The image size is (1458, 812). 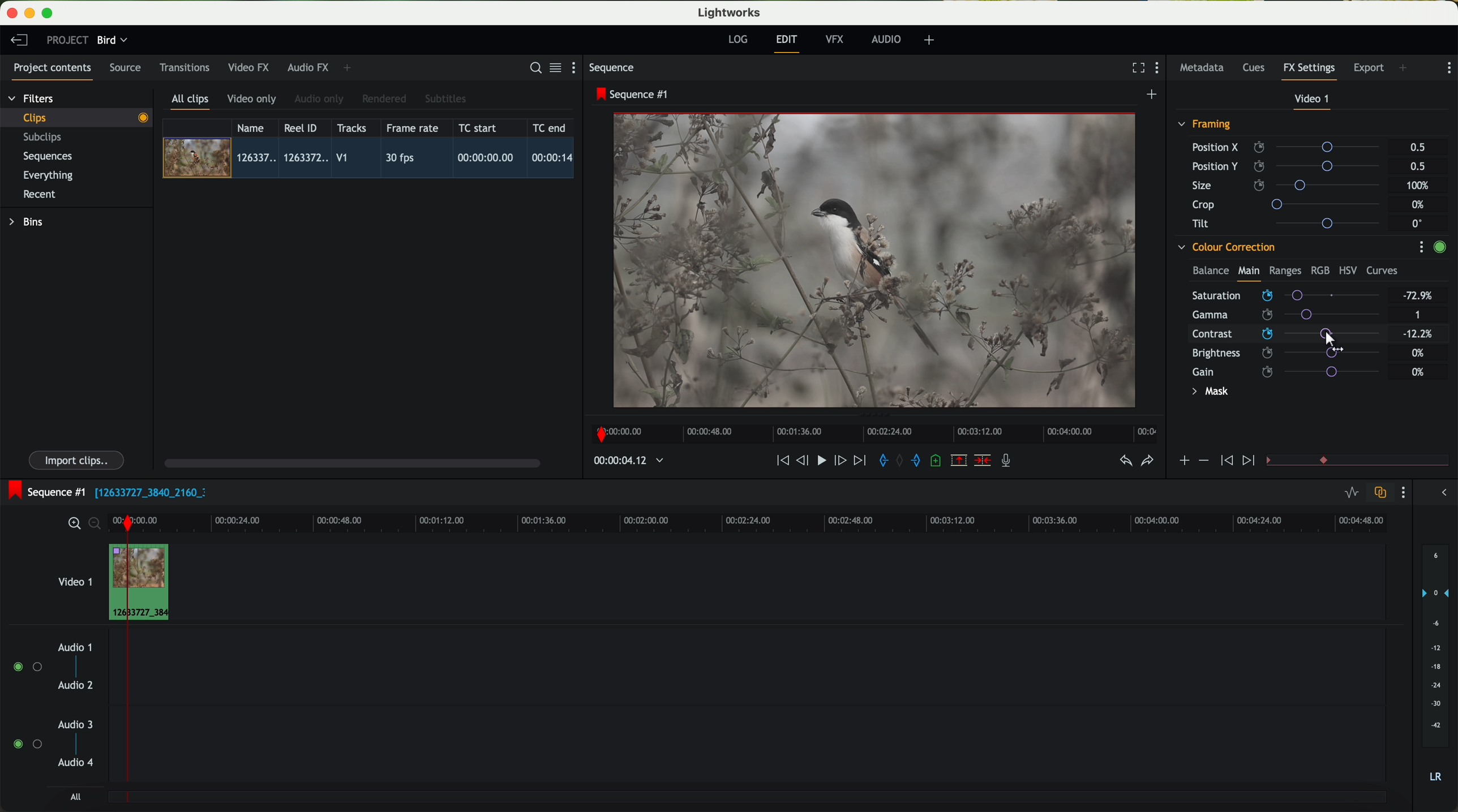 I want to click on add 'out' mark, so click(x=921, y=459).